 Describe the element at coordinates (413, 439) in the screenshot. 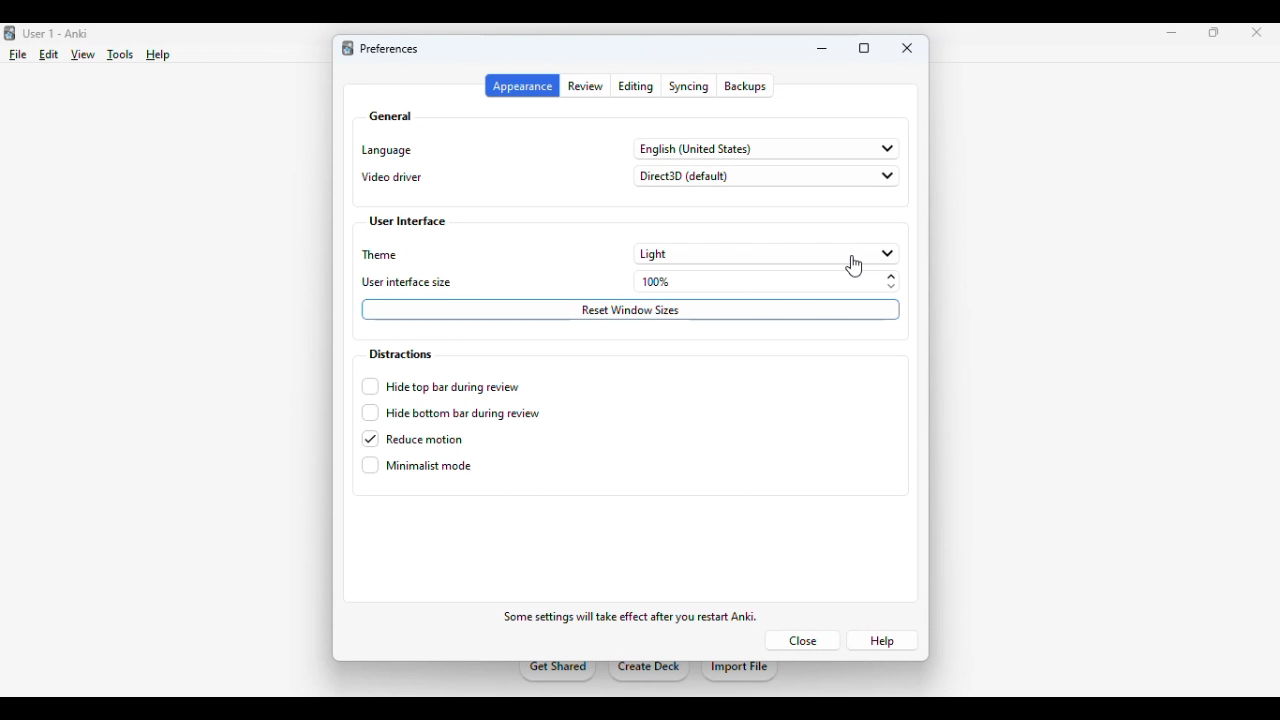

I see `reduce motion` at that location.